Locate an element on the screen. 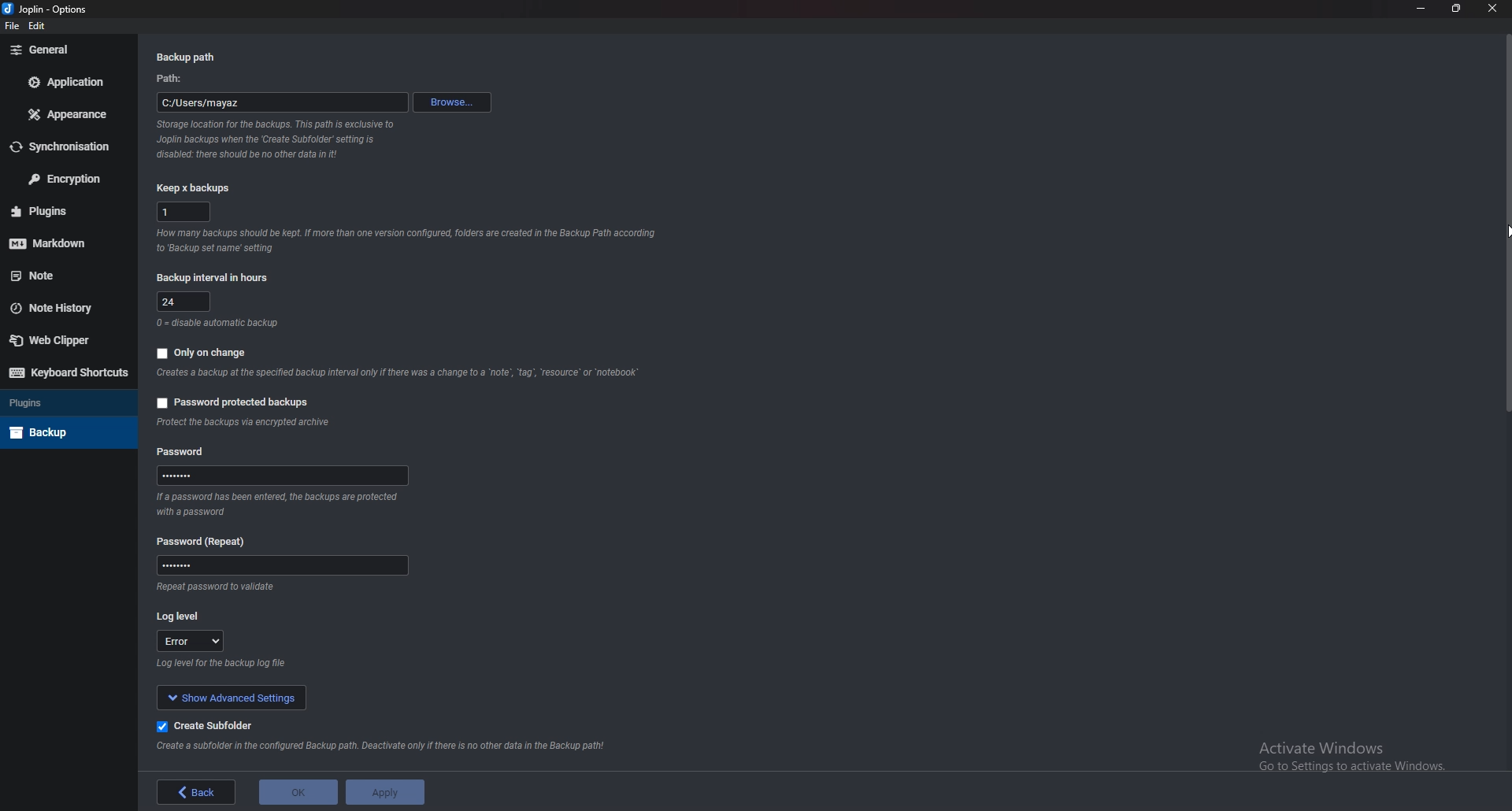 This screenshot has width=1512, height=811. Note history is located at coordinates (61, 308).